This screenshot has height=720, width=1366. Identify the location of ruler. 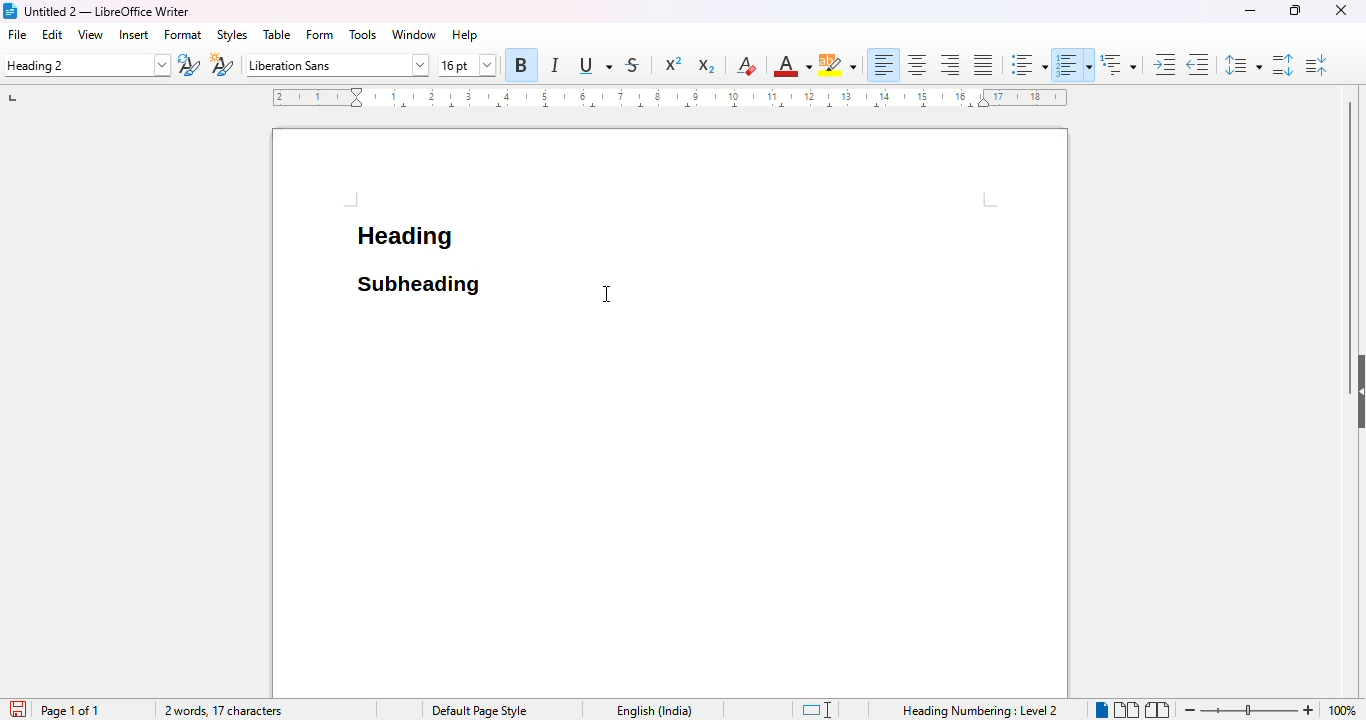
(670, 97).